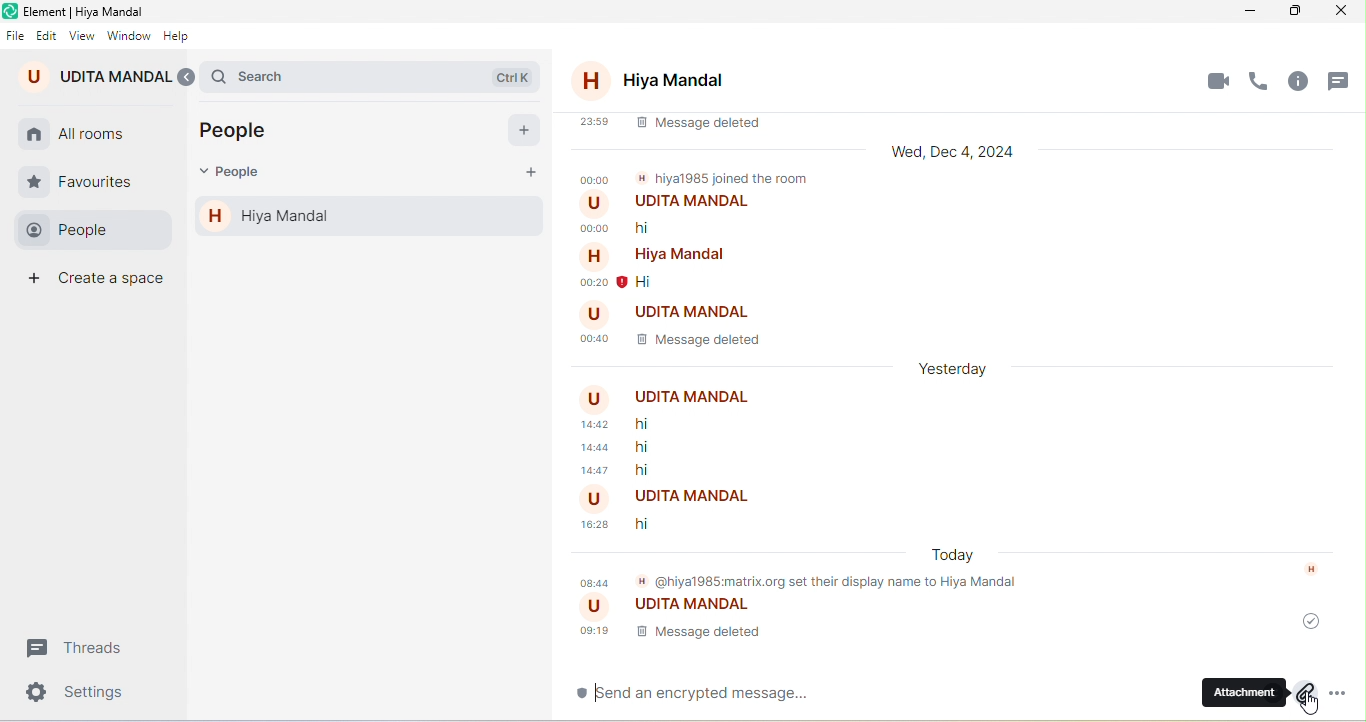 This screenshot has width=1366, height=722. Describe the element at coordinates (1344, 84) in the screenshot. I see `threads` at that location.